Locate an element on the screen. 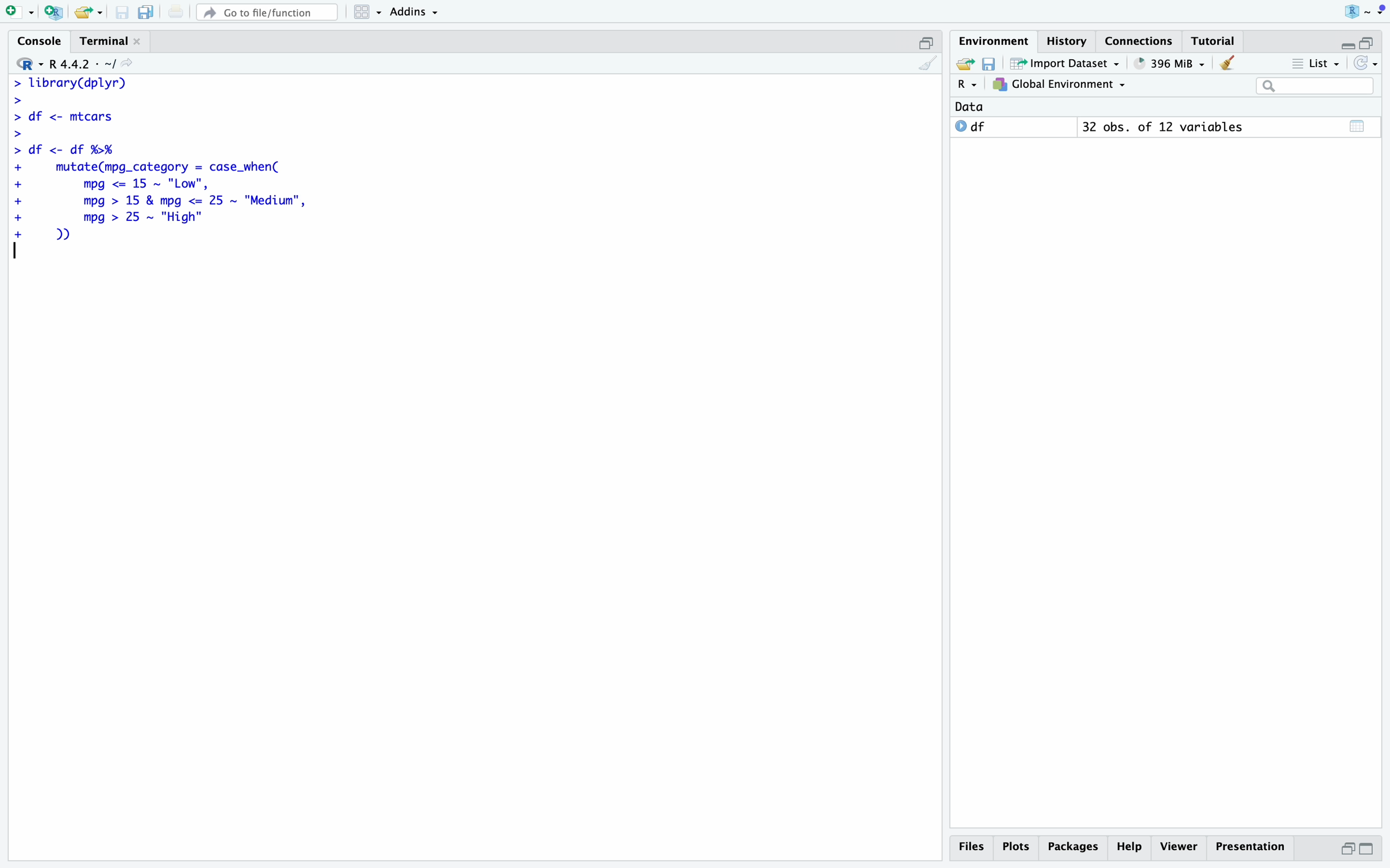  switch to full view is located at coordinates (1367, 850).